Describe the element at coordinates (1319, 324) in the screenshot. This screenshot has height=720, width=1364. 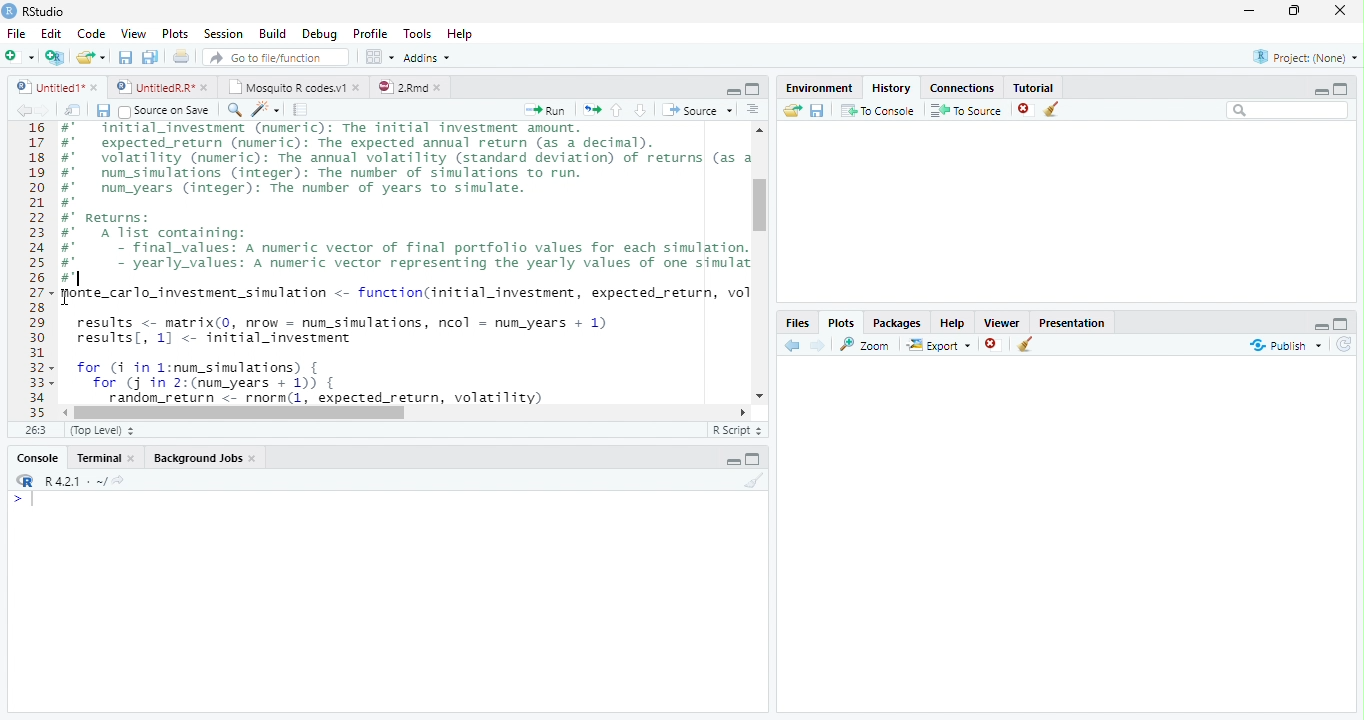
I see `Hide` at that location.